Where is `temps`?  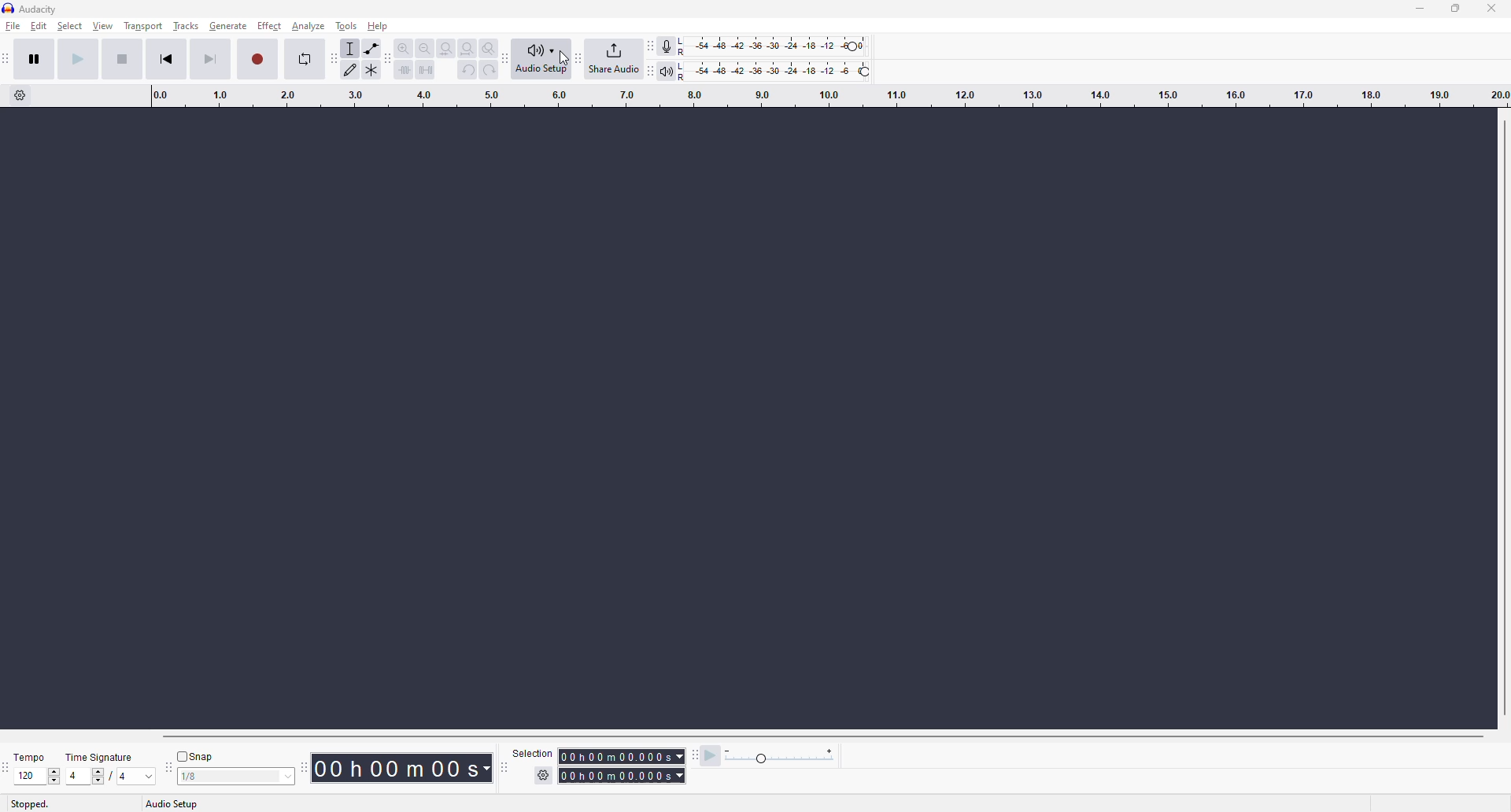 temps is located at coordinates (30, 755).